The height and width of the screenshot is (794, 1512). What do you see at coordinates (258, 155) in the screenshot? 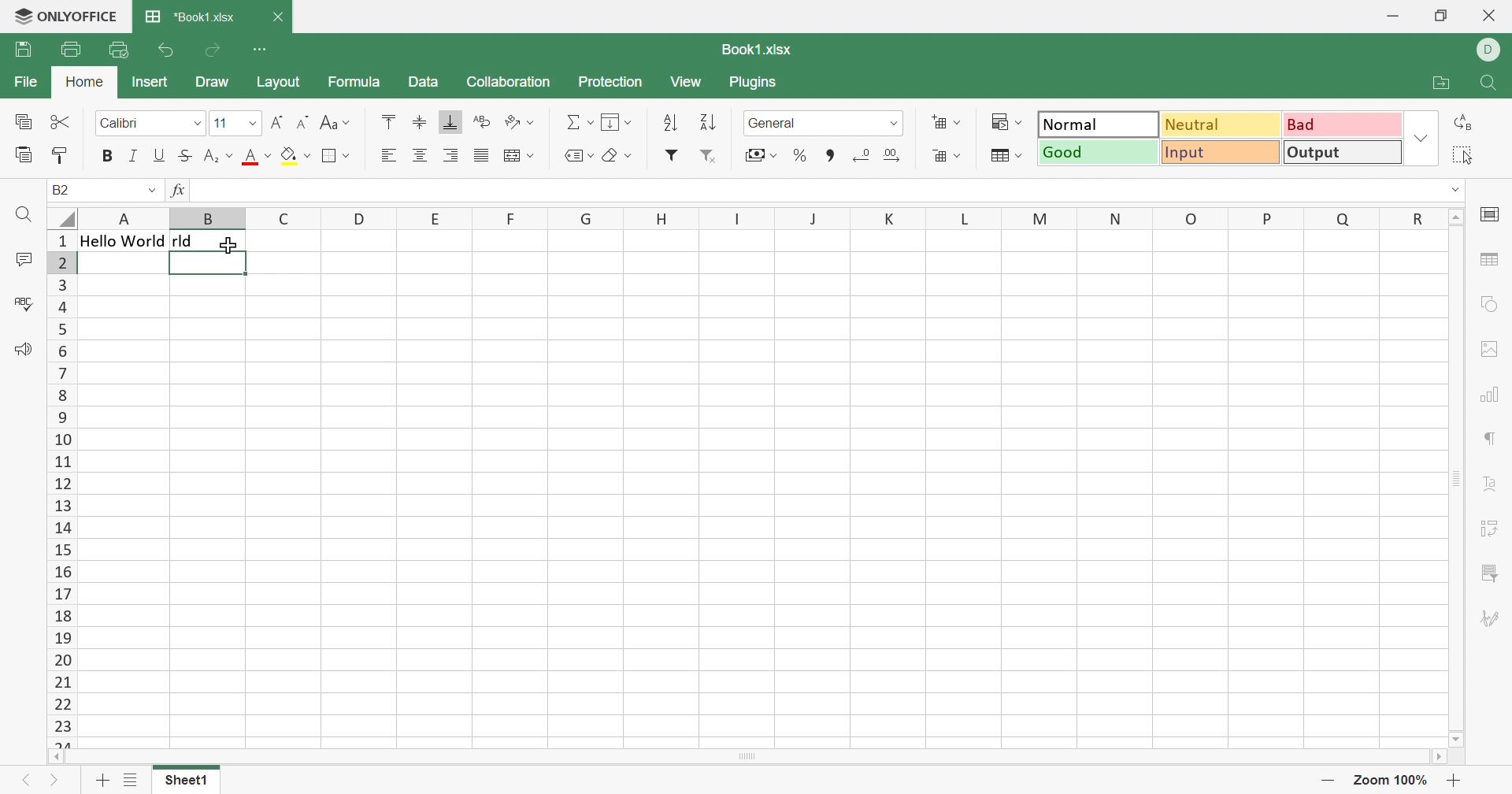
I see `Font color` at bounding box center [258, 155].